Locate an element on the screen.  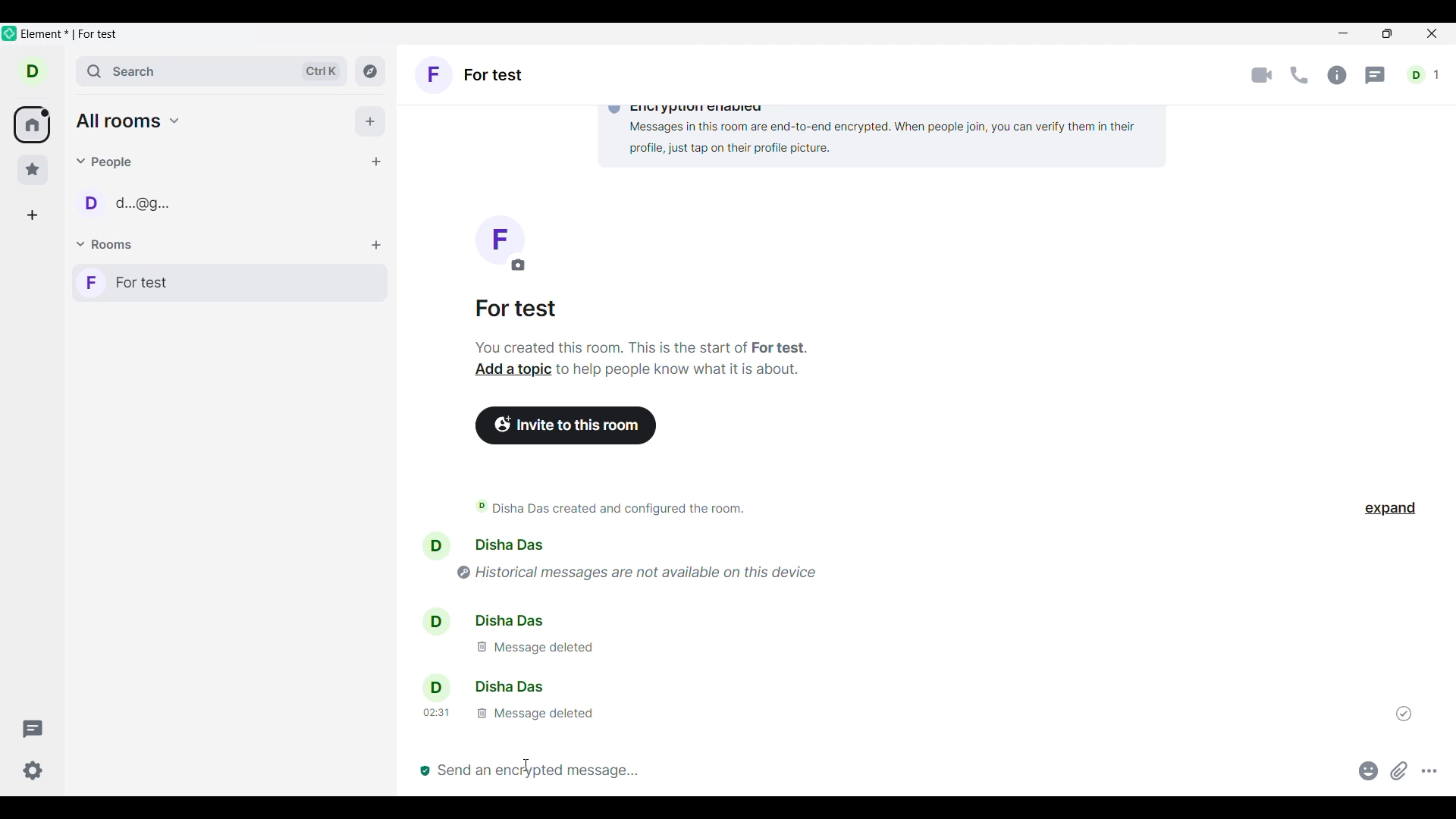
Software logo is located at coordinates (10, 33).